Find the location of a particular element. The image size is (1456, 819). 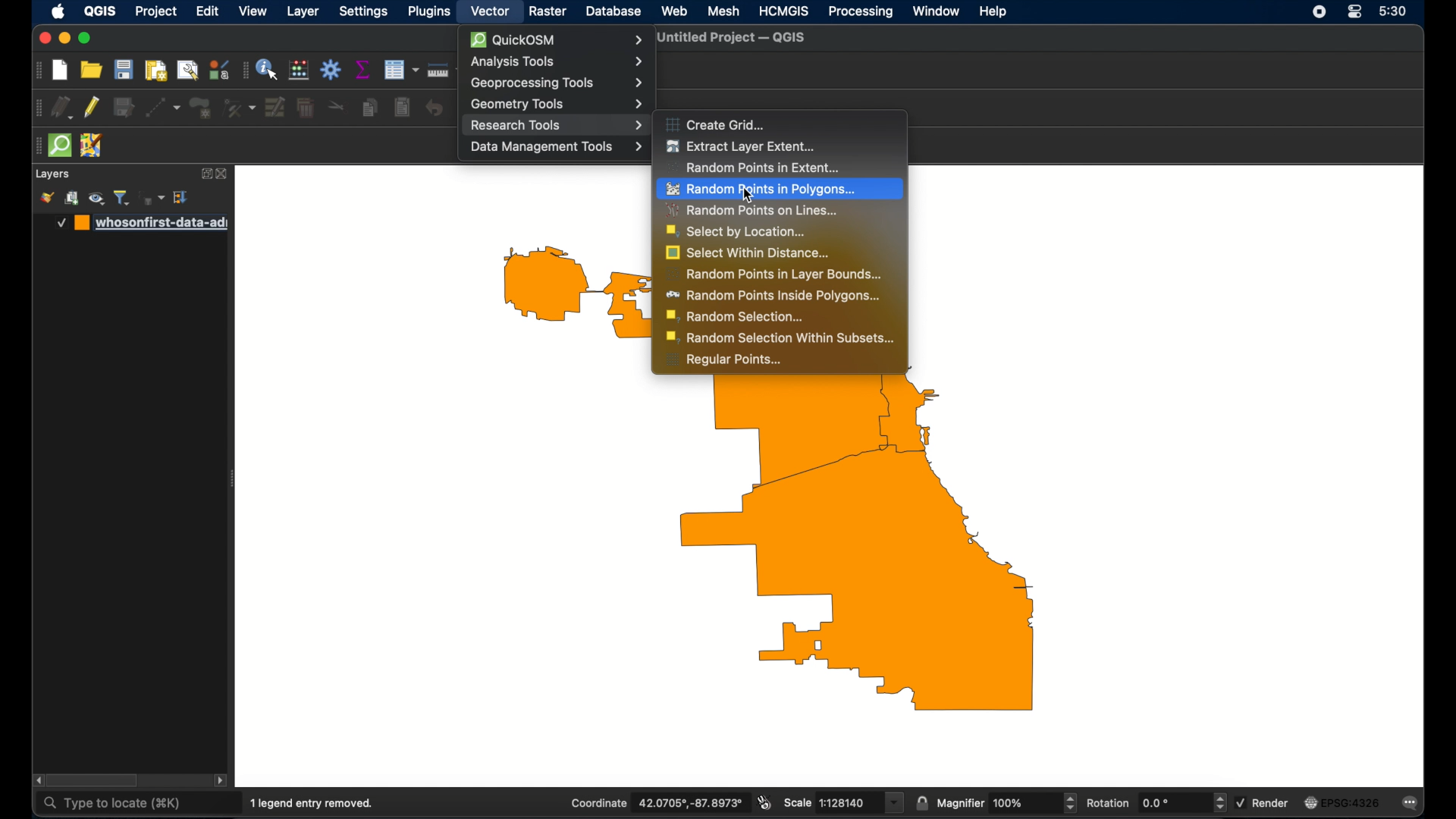

extract layer extent is located at coordinates (742, 146).